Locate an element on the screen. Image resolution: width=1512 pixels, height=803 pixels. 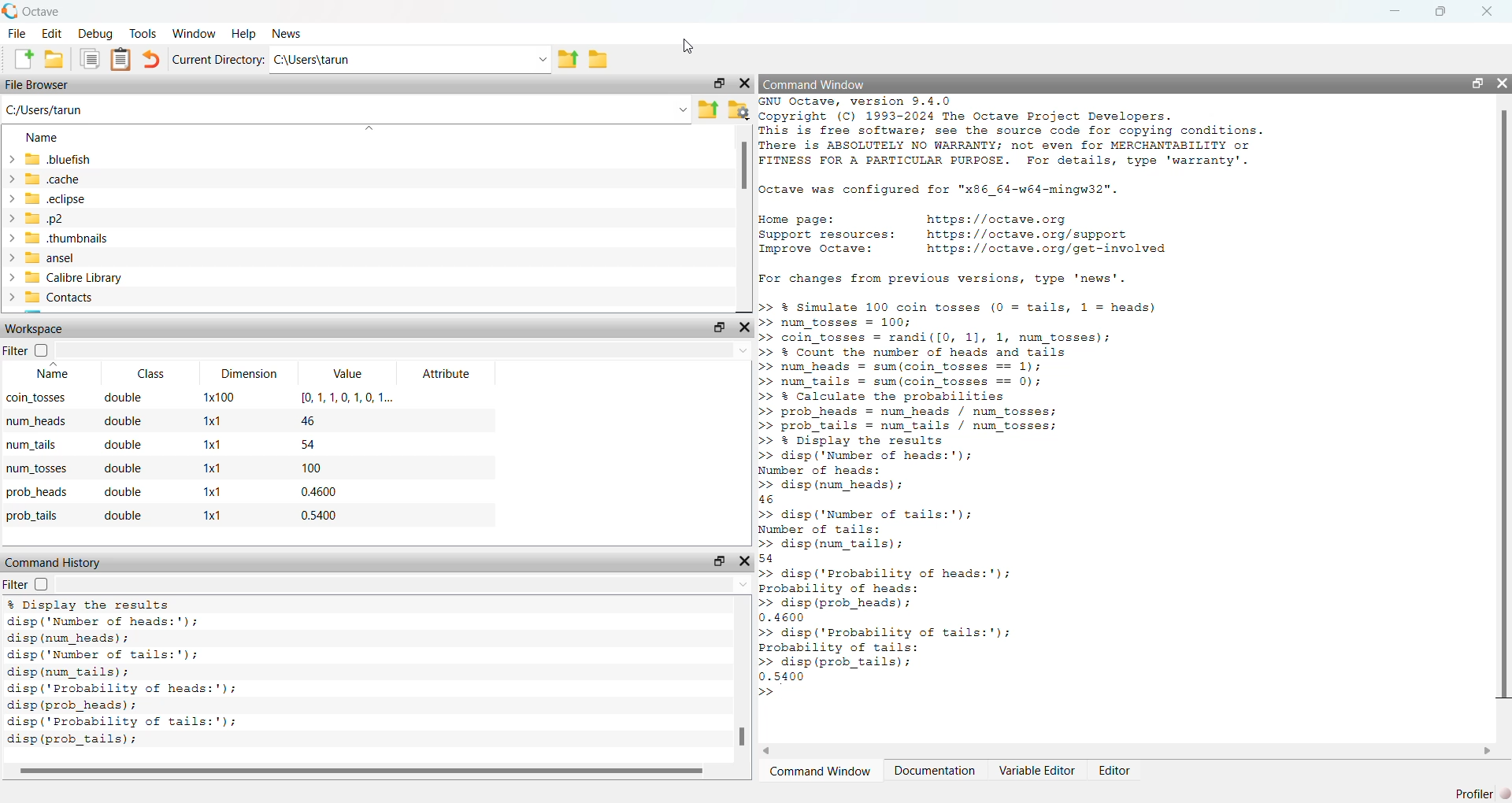
.thumbnails is located at coordinates (55, 238).